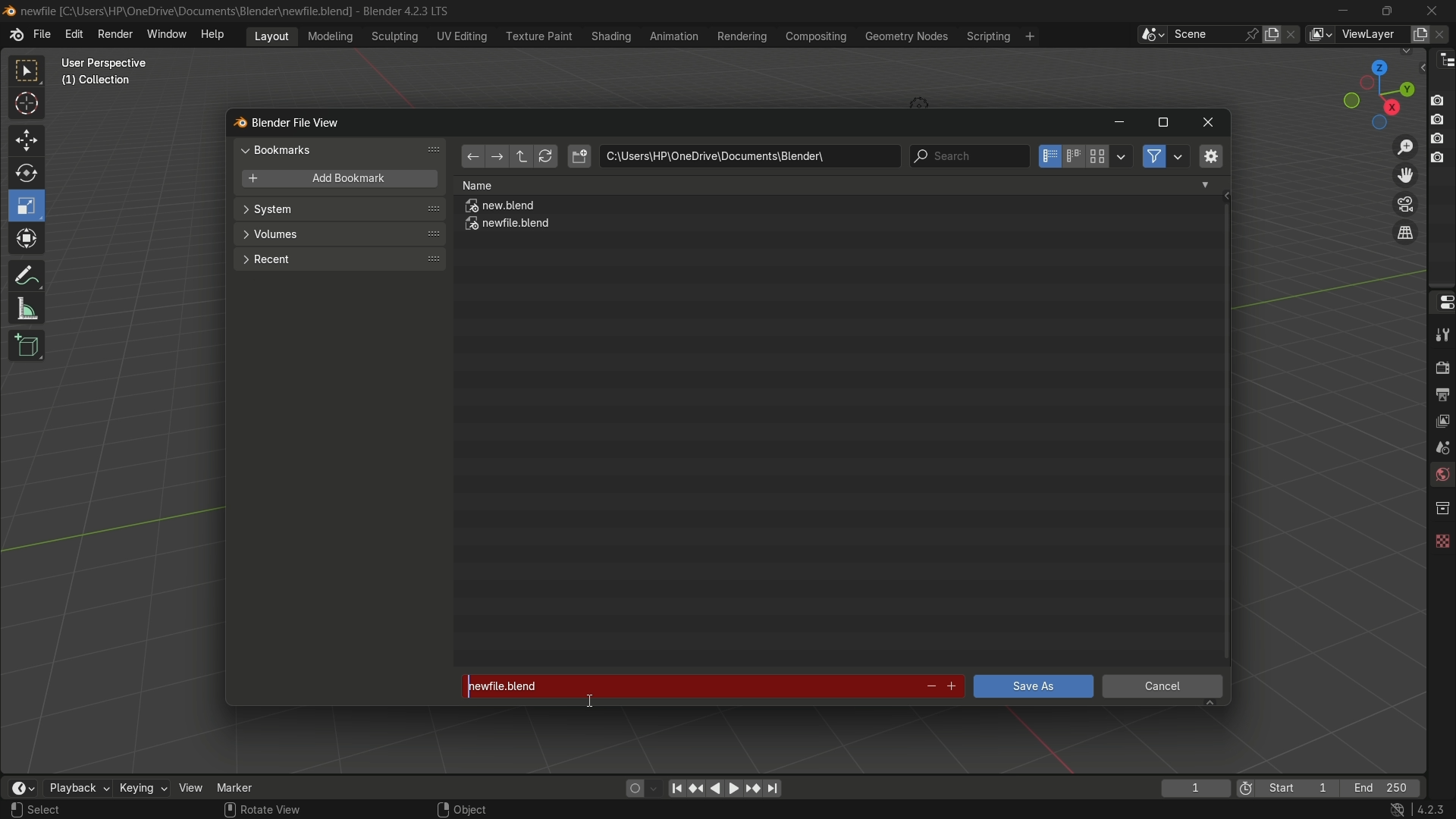 The width and height of the screenshot is (1456, 819). What do you see at coordinates (142, 789) in the screenshot?
I see `keying` at bounding box center [142, 789].